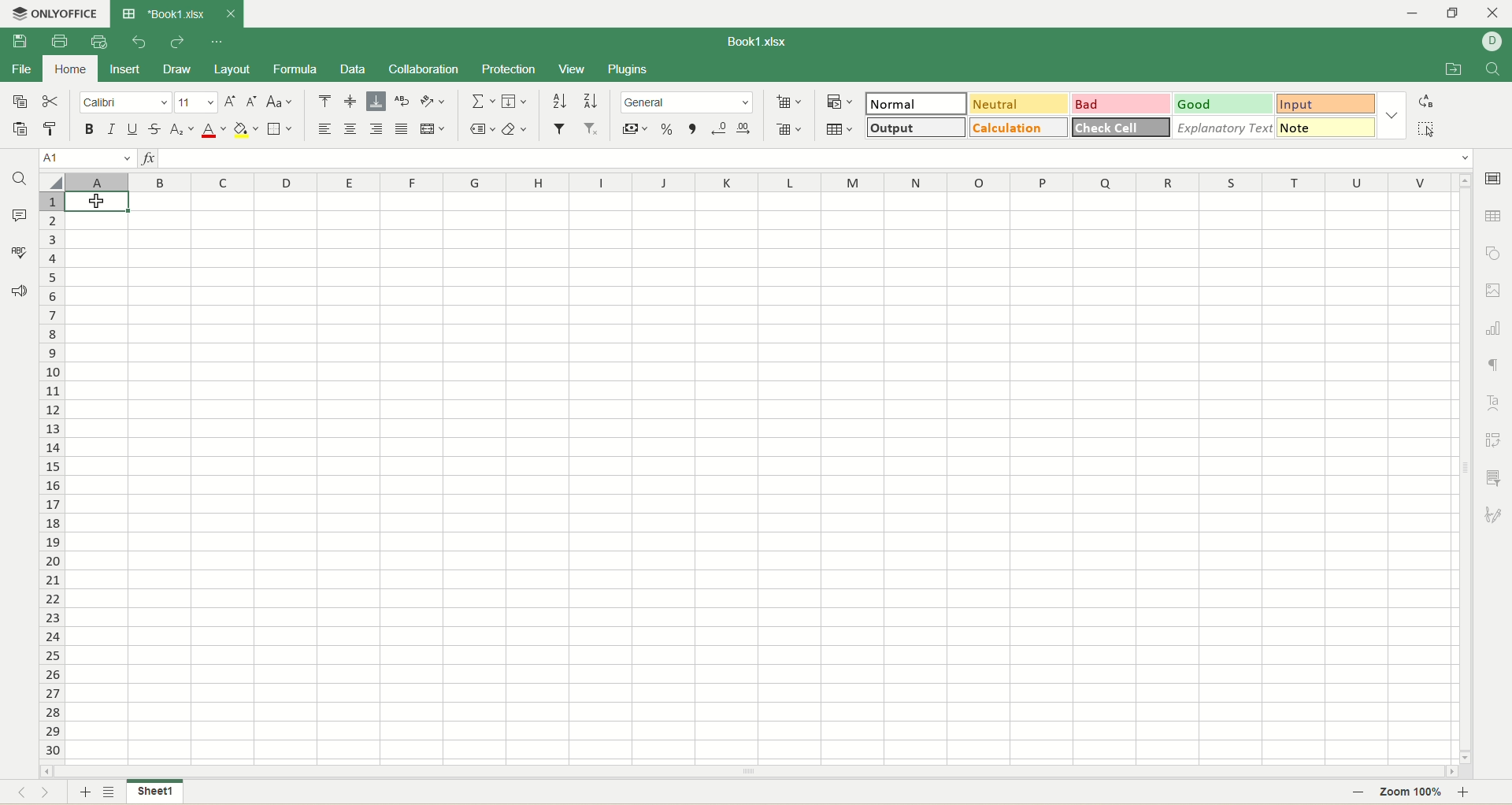 This screenshot has width=1512, height=805. I want to click on output, so click(916, 127).